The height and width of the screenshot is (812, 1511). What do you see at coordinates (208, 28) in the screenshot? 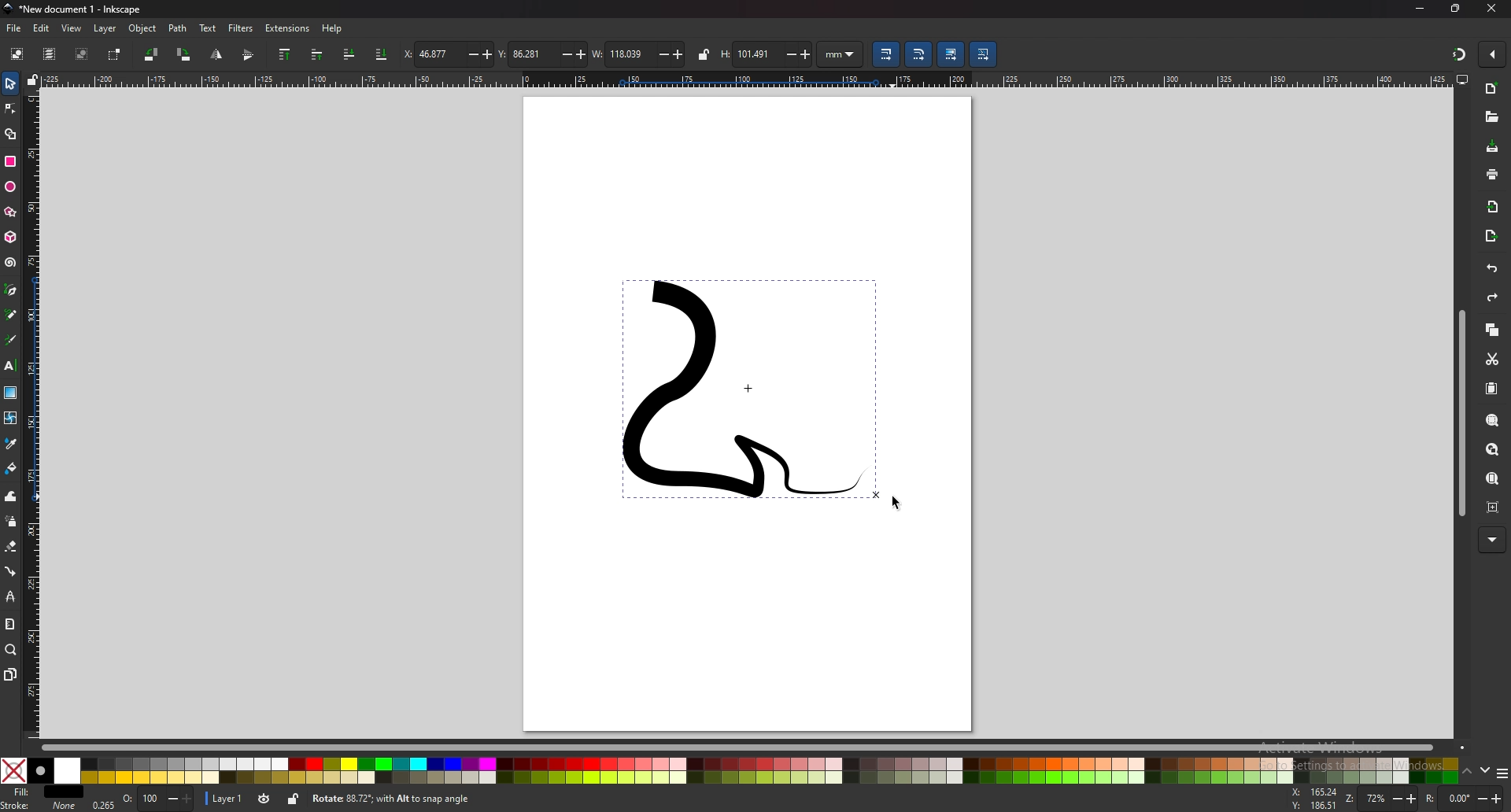
I see `text` at bounding box center [208, 28].